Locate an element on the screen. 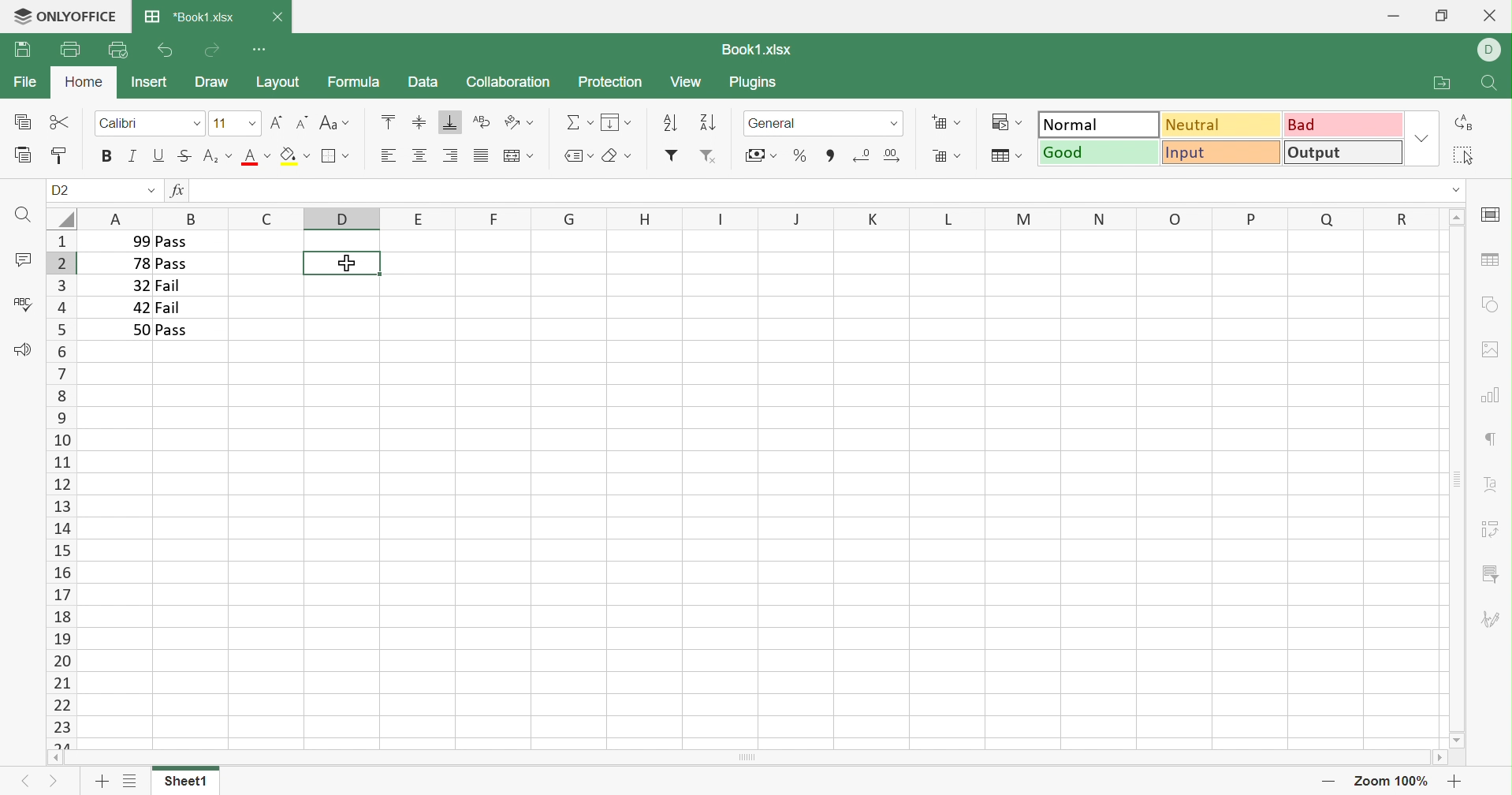  Cell settings is located at coordinates (1489, 215).